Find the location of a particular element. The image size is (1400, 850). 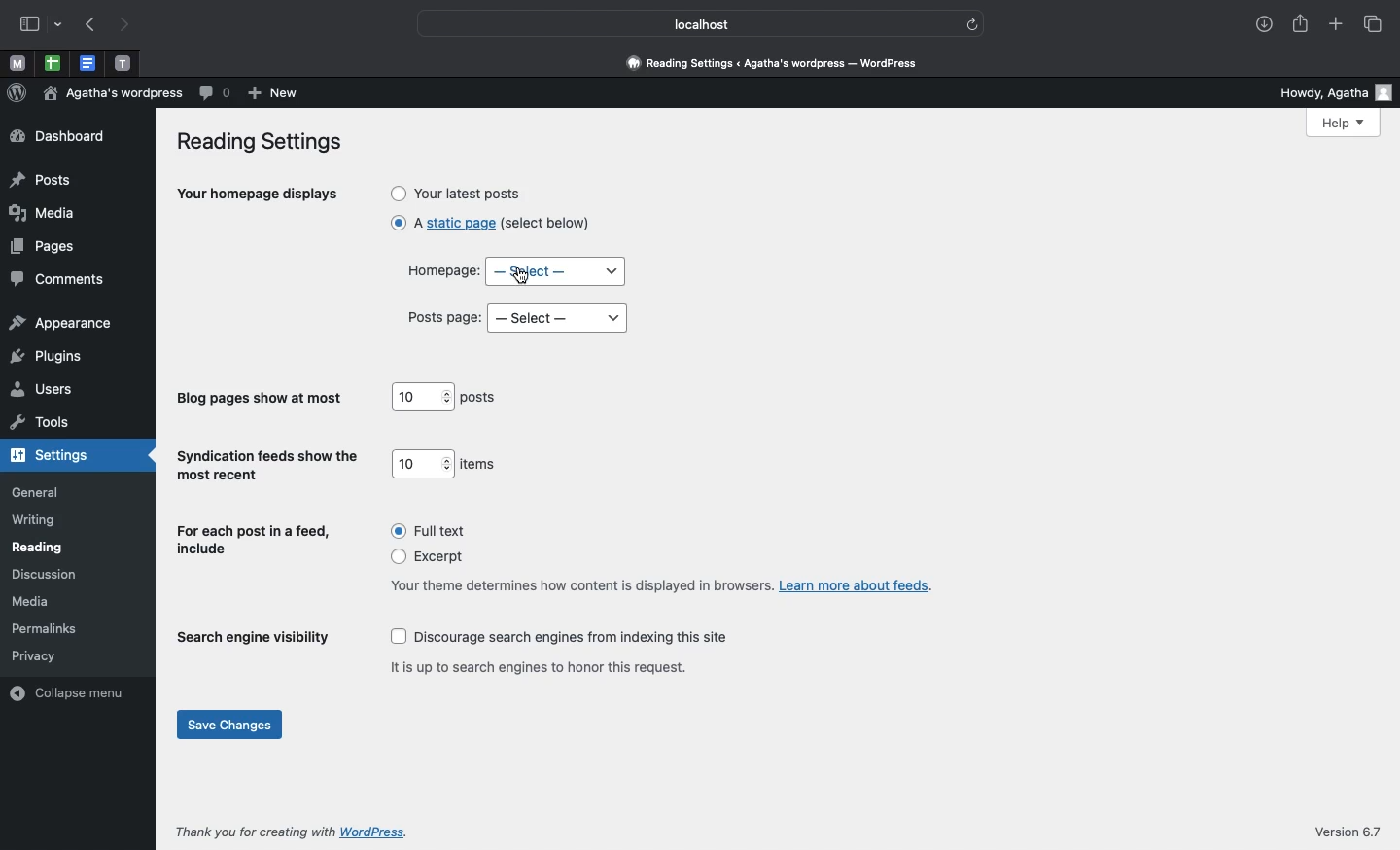

Thank you for creating with Wordpress is located at coordinates (295, 832).